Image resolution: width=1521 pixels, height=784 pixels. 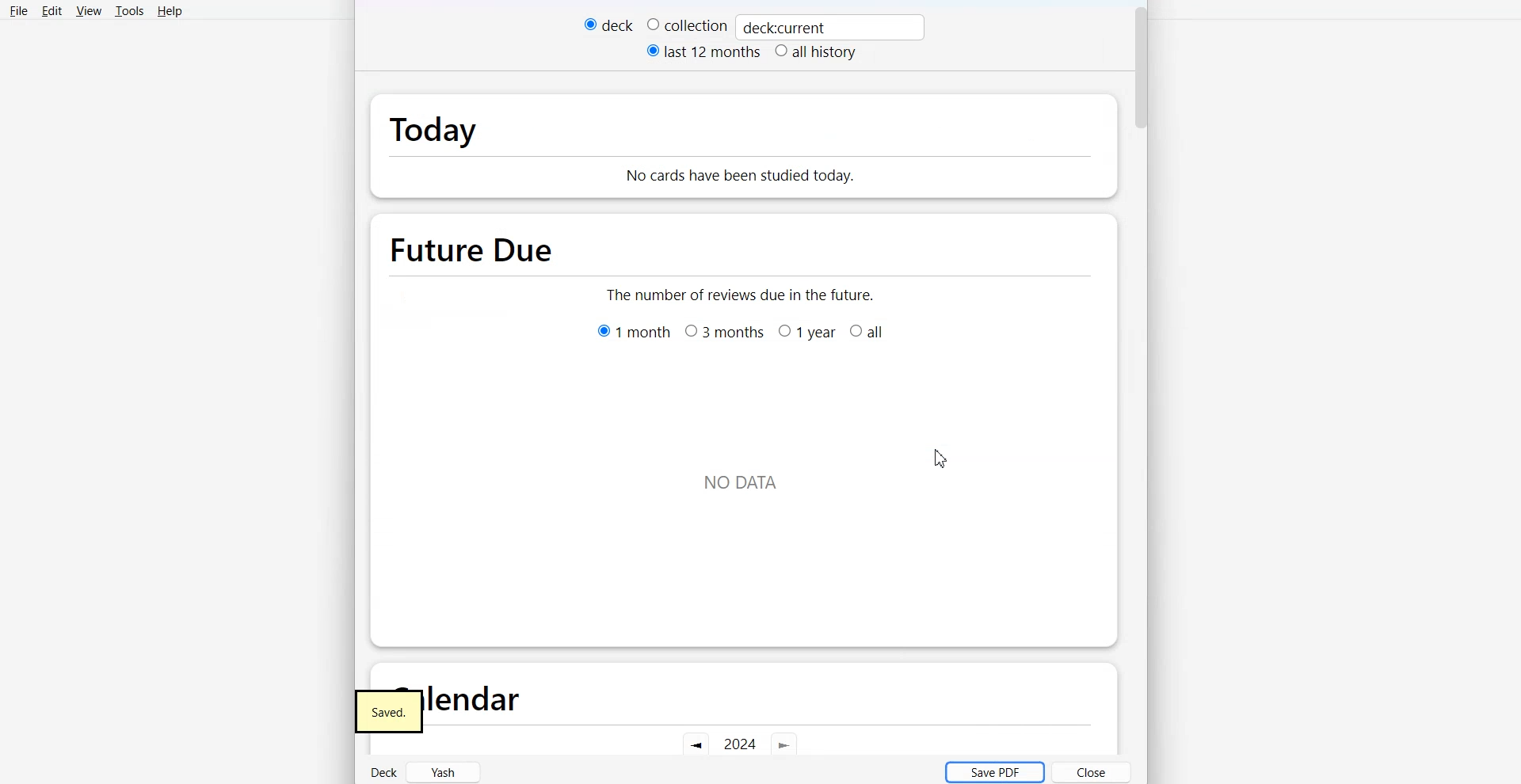 I want to click on Help, so click(x=169, y=11).